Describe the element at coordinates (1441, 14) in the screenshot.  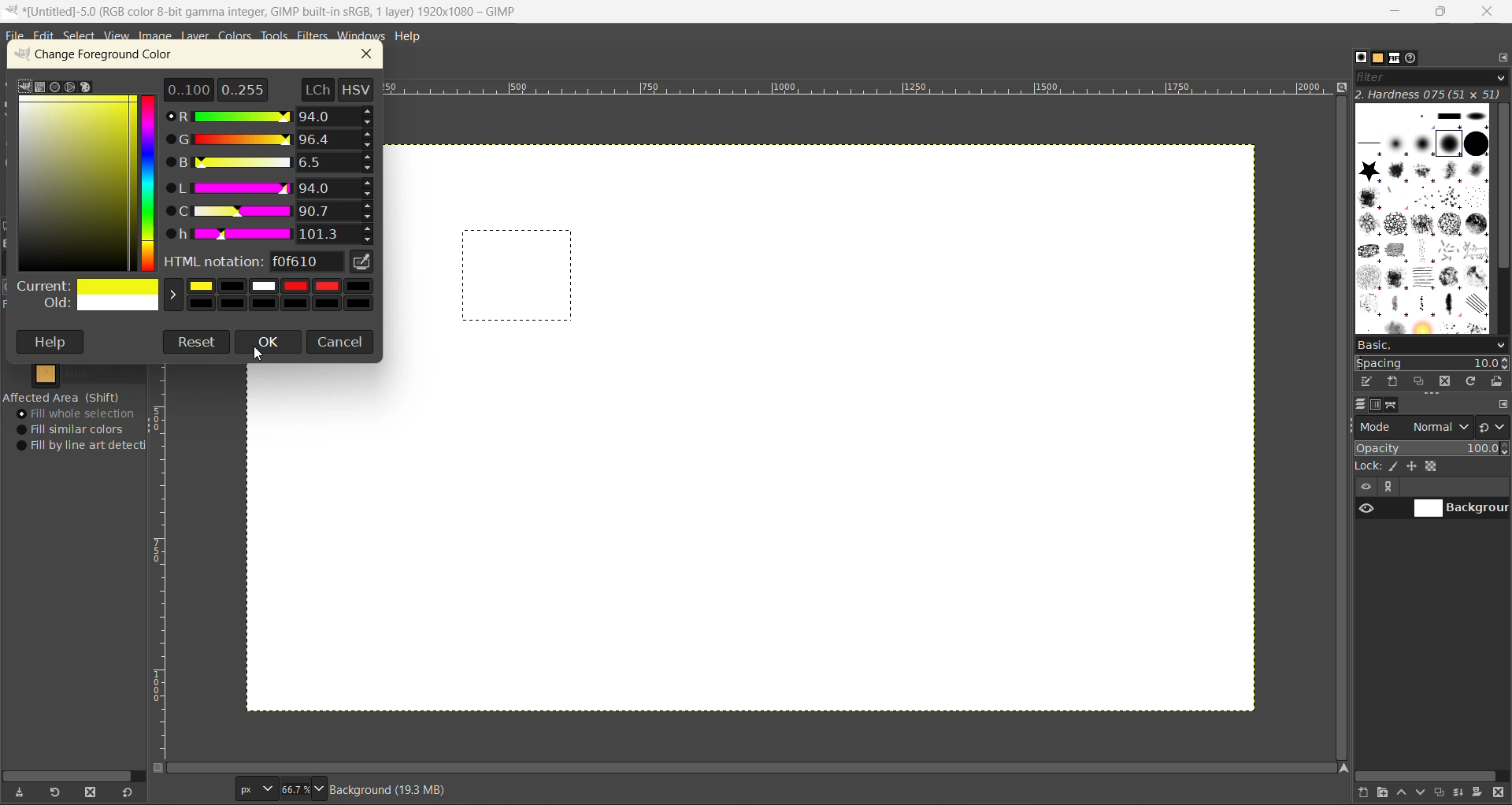
I see `maximize` at that location.